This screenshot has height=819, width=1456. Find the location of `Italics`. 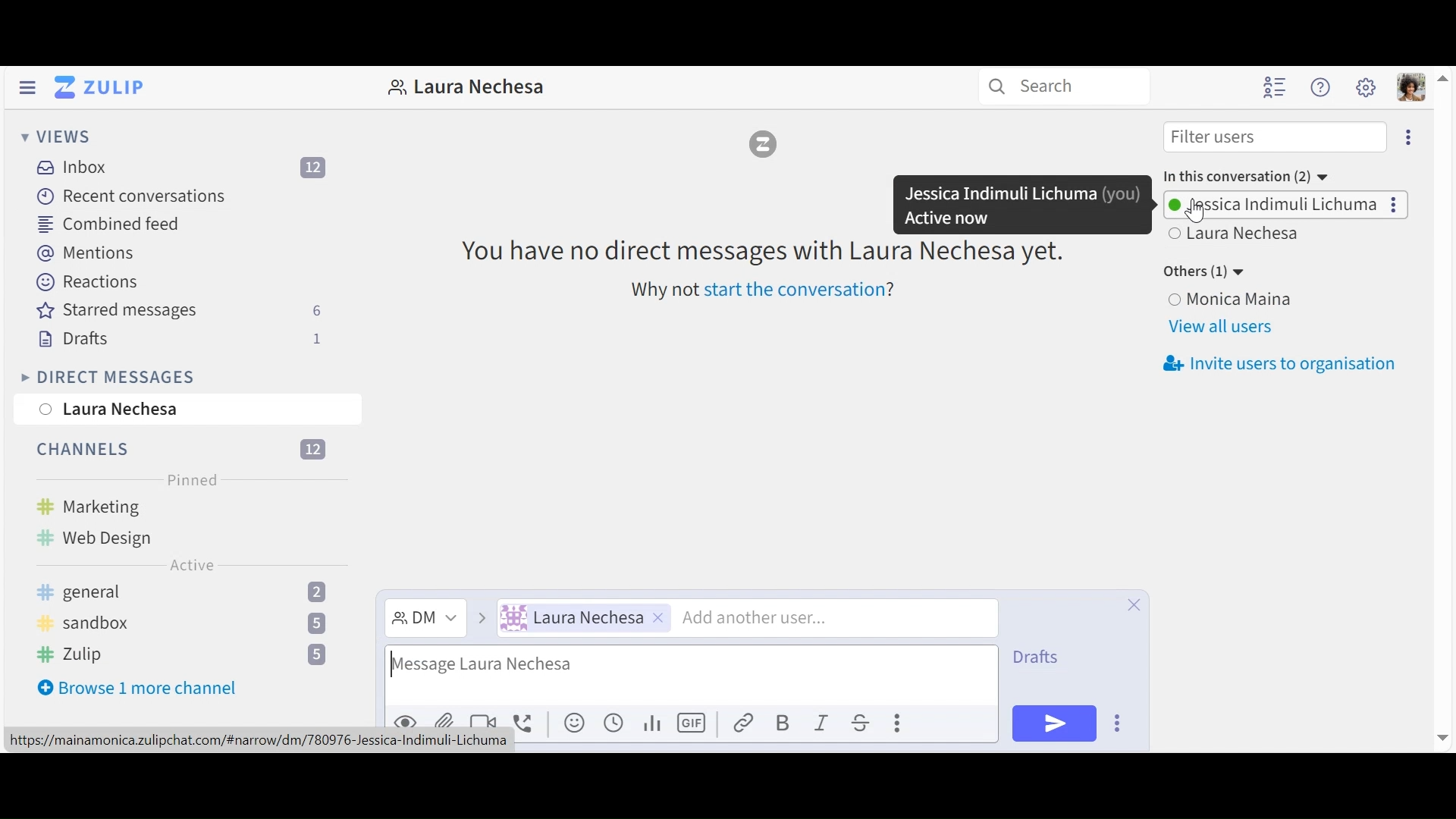

Italics is located at coordinates (822, 724).